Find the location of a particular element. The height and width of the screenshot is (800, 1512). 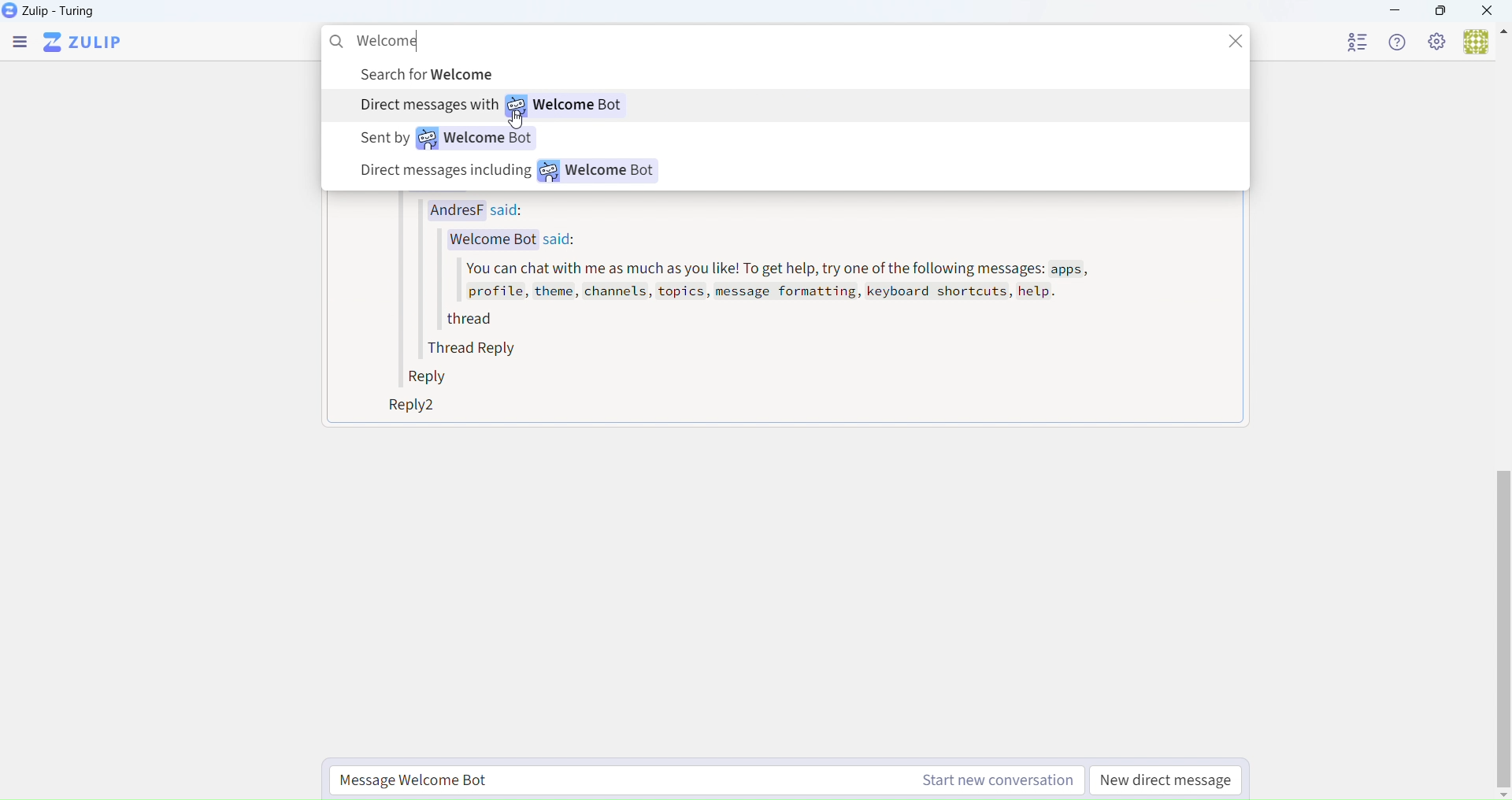

New direct message is located at coordinates (1168, 780).